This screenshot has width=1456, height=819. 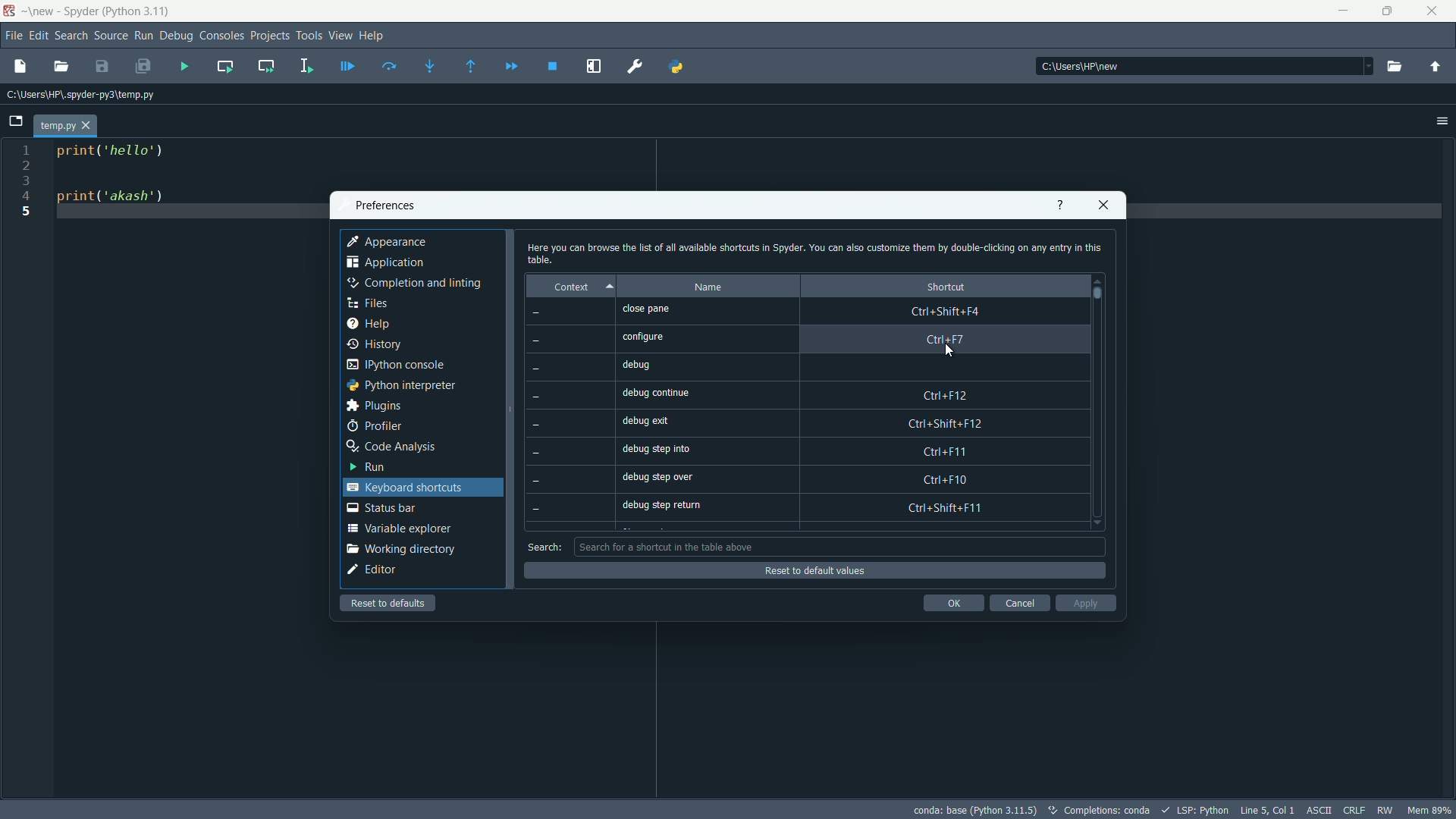 I want to click on cursor position, so click(x=1266, y=808).